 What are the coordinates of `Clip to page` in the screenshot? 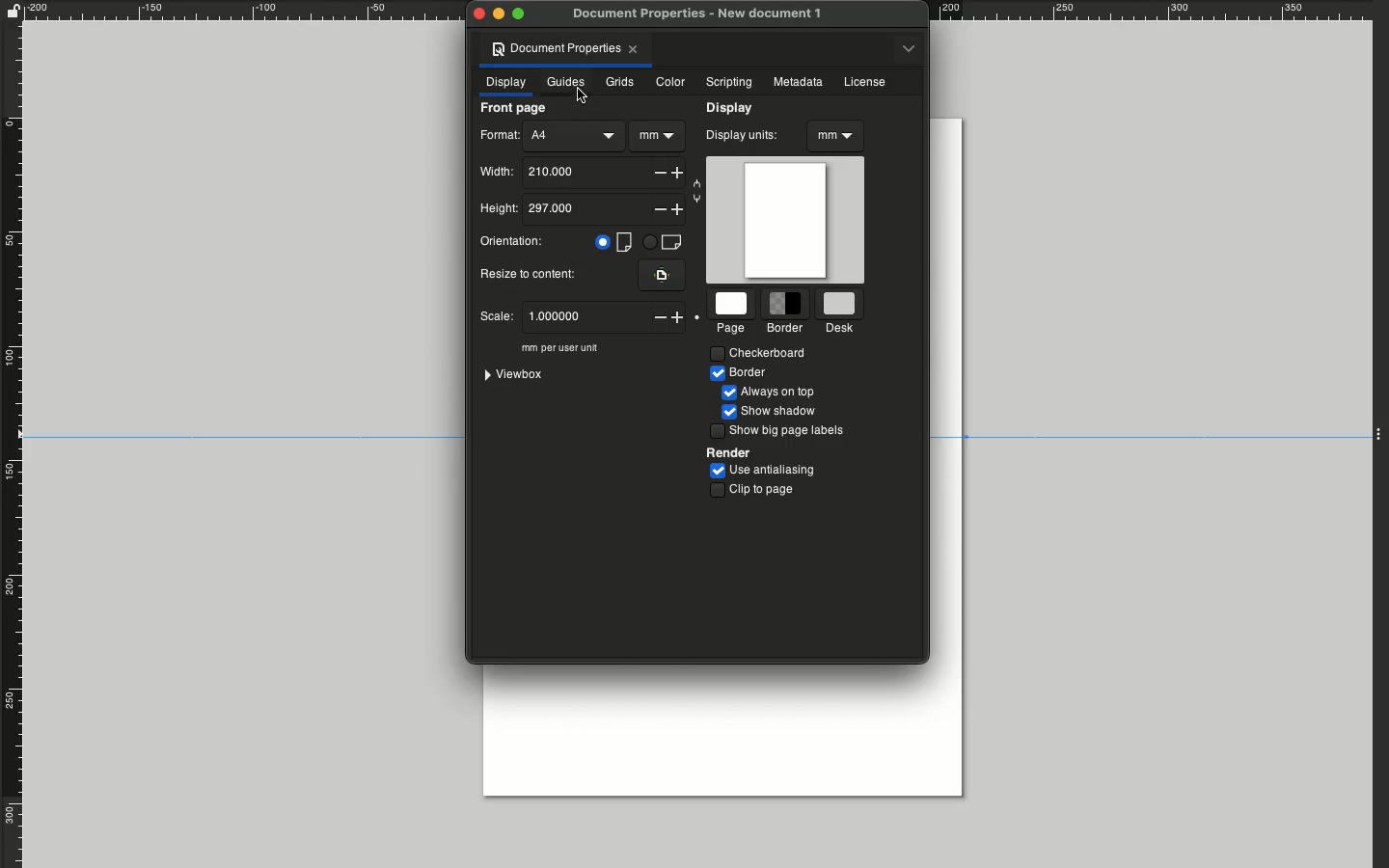 It's located at (751, 489).